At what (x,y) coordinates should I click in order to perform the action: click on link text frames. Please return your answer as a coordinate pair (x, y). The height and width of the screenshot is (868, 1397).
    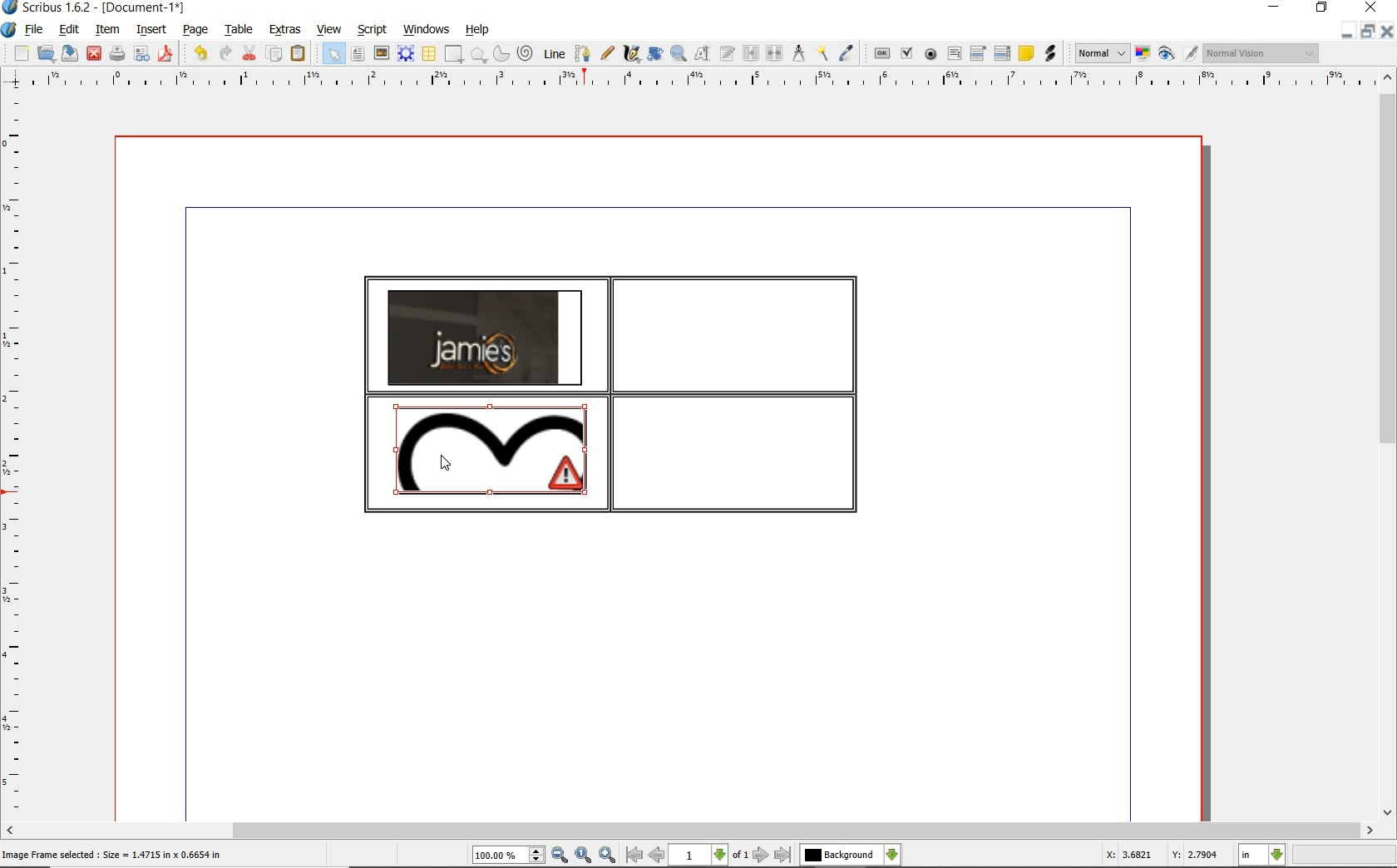
    Looking at the image, I should click on (752, 53).